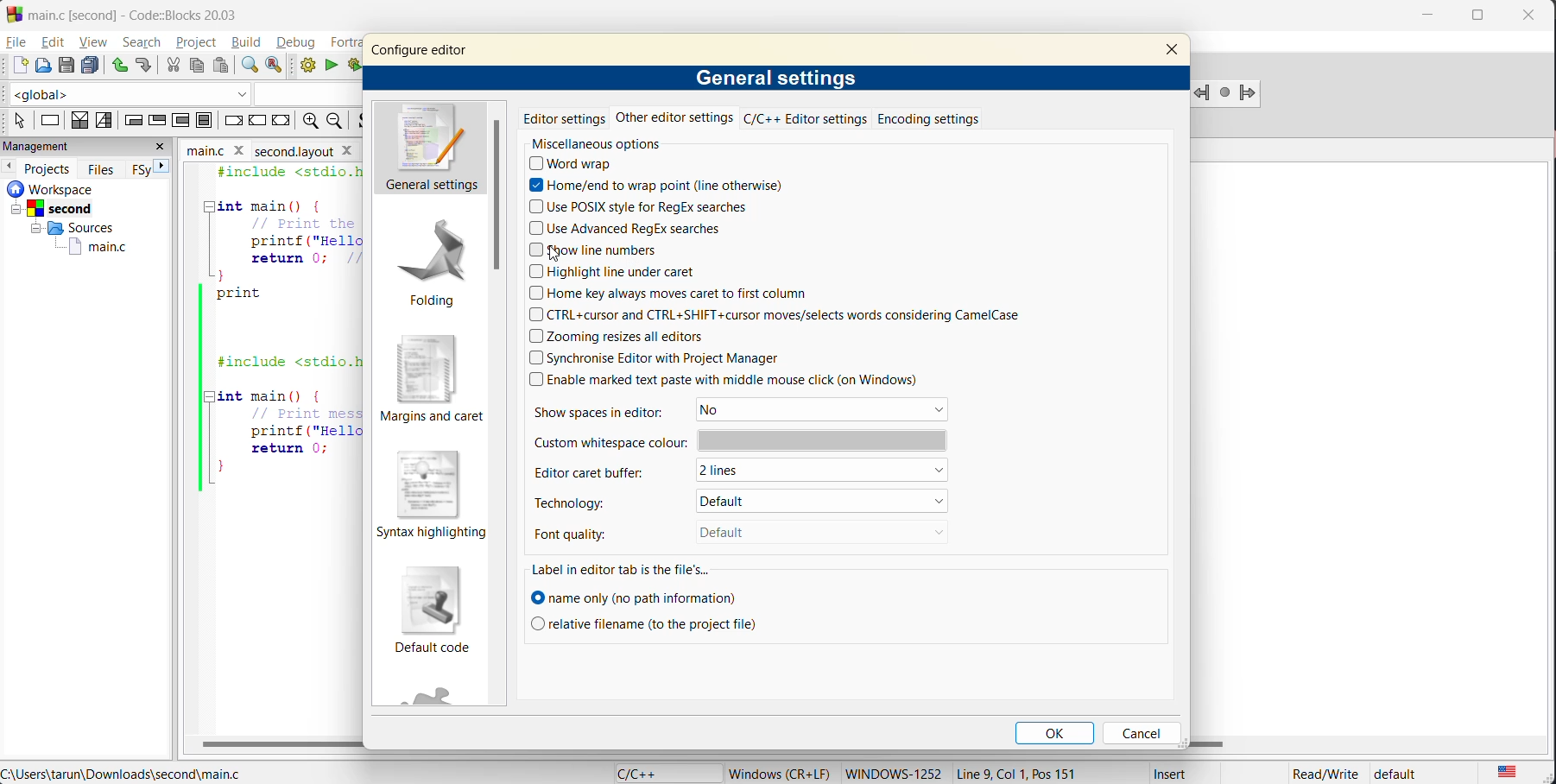 This screenshot has height=784, width=1556. What do you see at coordinates (132, 121) in the screenshot?
I see `entry condition loop` at bounding box center [132, 121].